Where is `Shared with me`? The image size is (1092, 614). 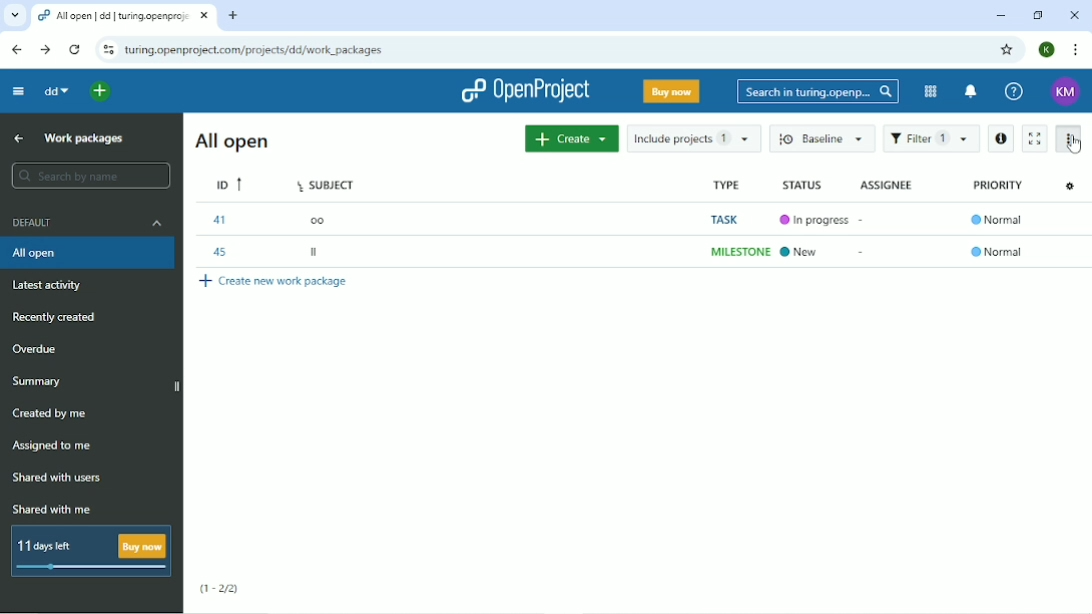 Shared with me is located at coordinates (53, 509).